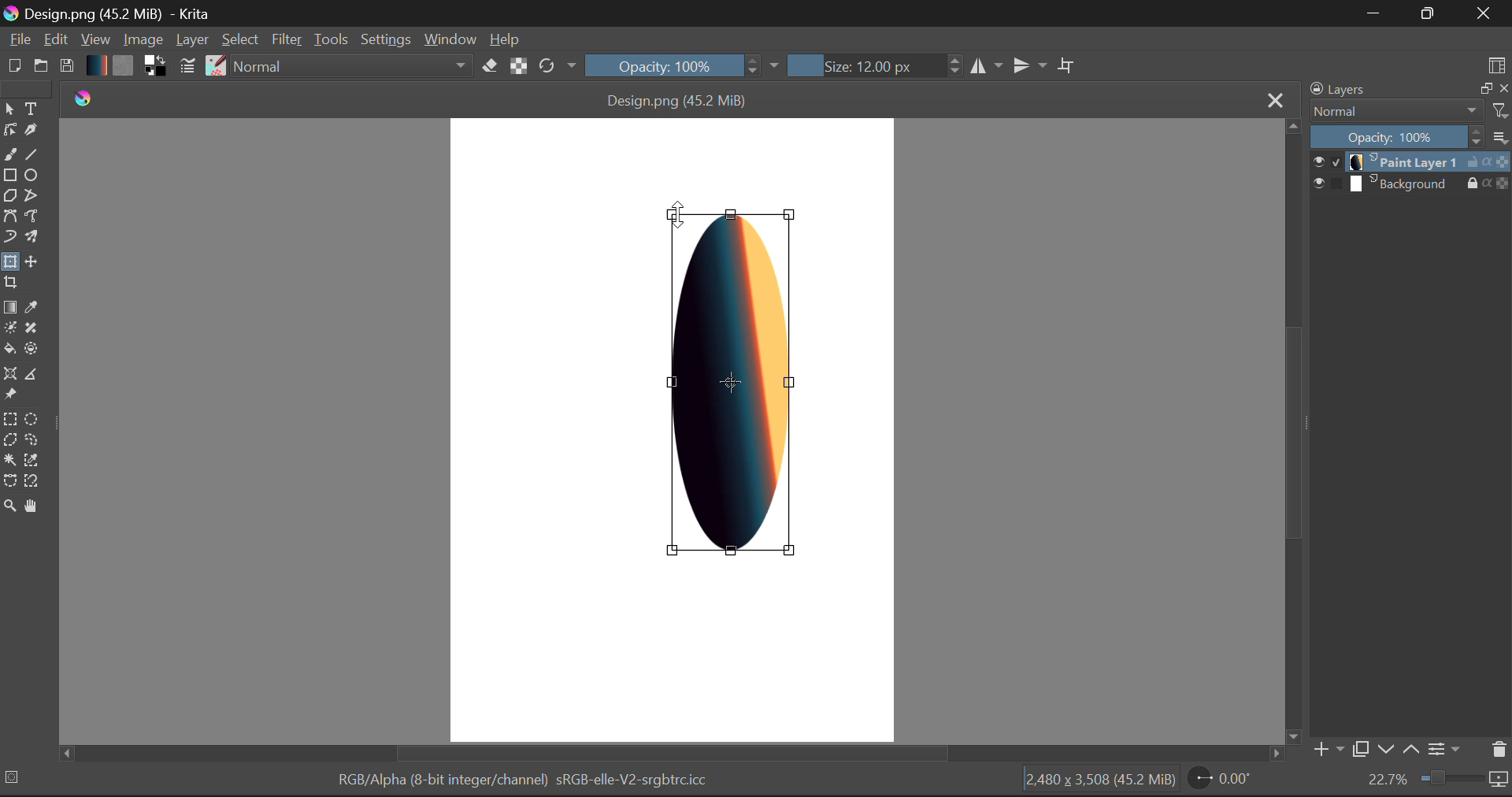 The width and height of the screenshot is (1512, 797). I want to click on Assistant Tool, so click(10, 374).